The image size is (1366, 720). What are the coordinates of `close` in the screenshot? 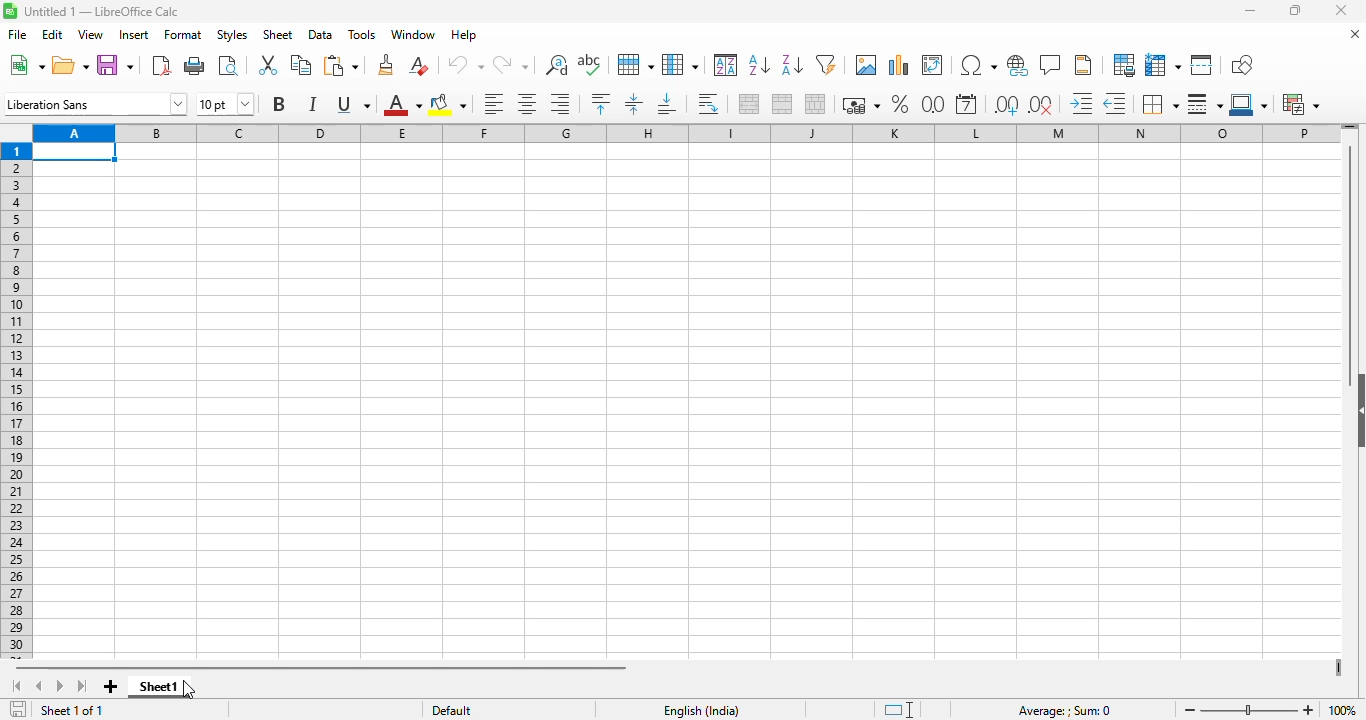 It's located at (1341, 10).